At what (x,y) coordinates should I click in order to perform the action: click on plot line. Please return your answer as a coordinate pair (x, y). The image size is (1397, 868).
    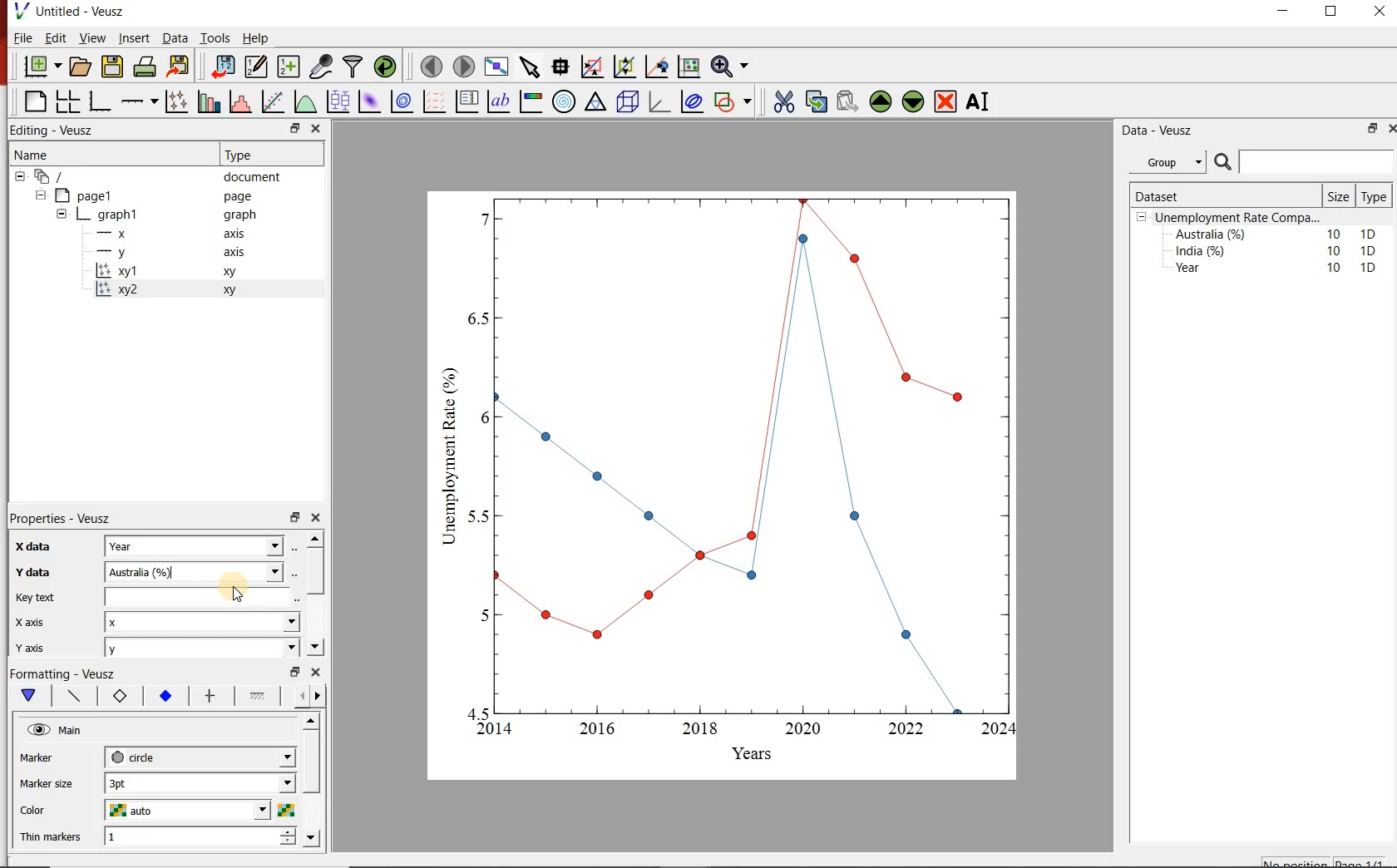
    Looking at the image, I should click on (76, 697).